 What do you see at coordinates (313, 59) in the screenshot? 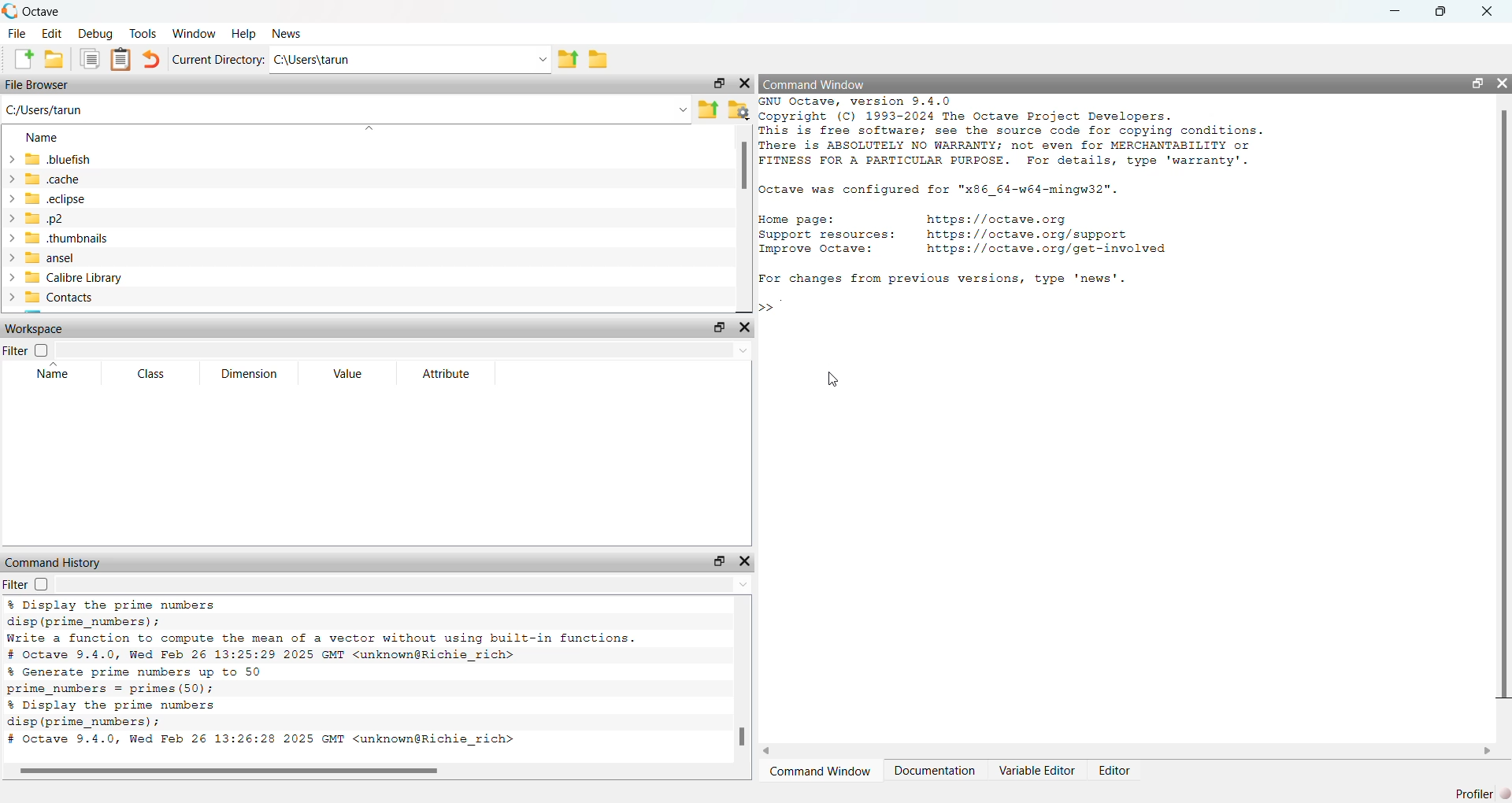
I see `C:\Users\tarun` at bounding box center [313, 59].